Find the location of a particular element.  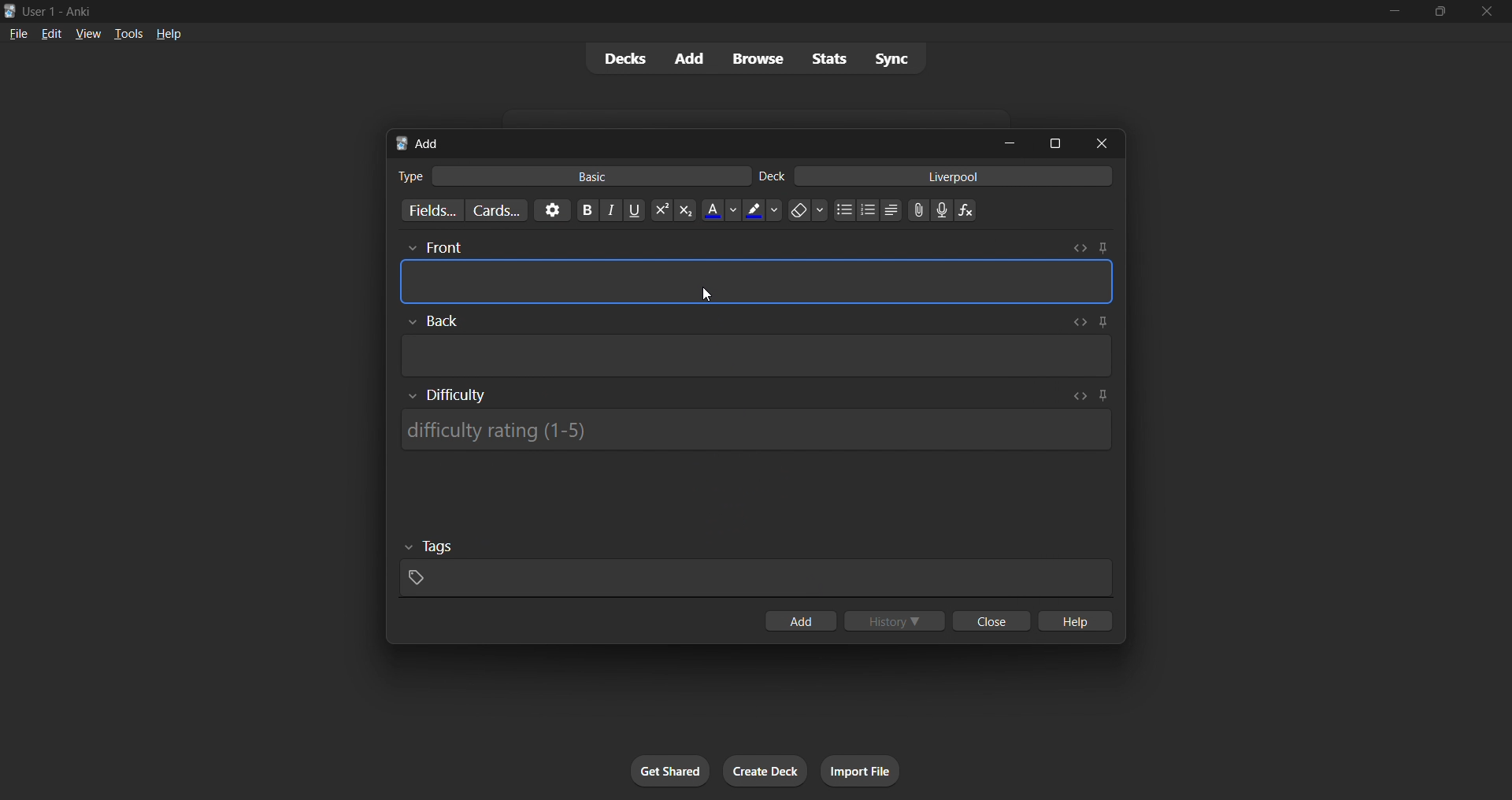

history is located at coordinates (895, 620).